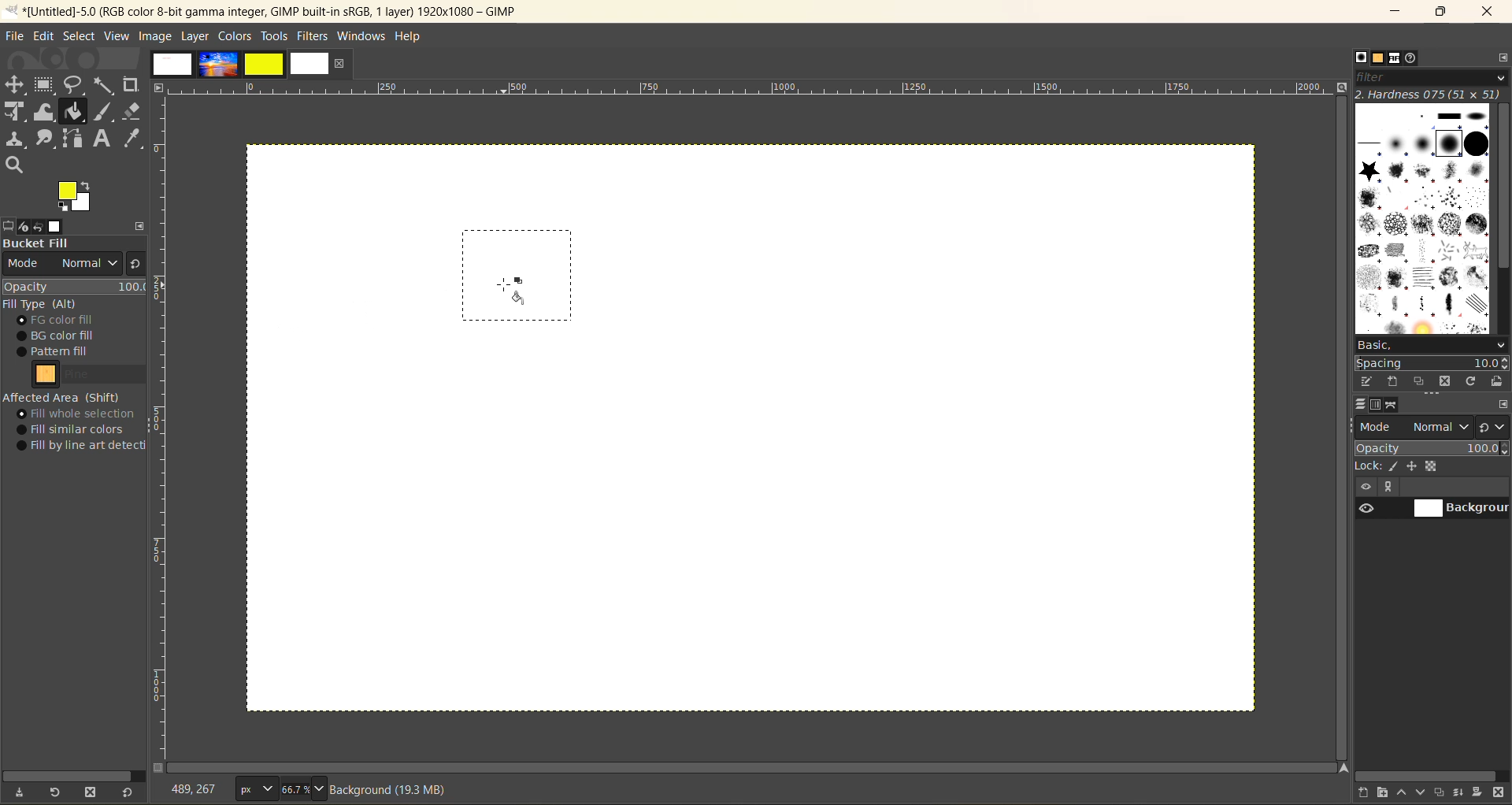 This screenshot has width=1512, height=805. I want to click on image, so click(156, 37).